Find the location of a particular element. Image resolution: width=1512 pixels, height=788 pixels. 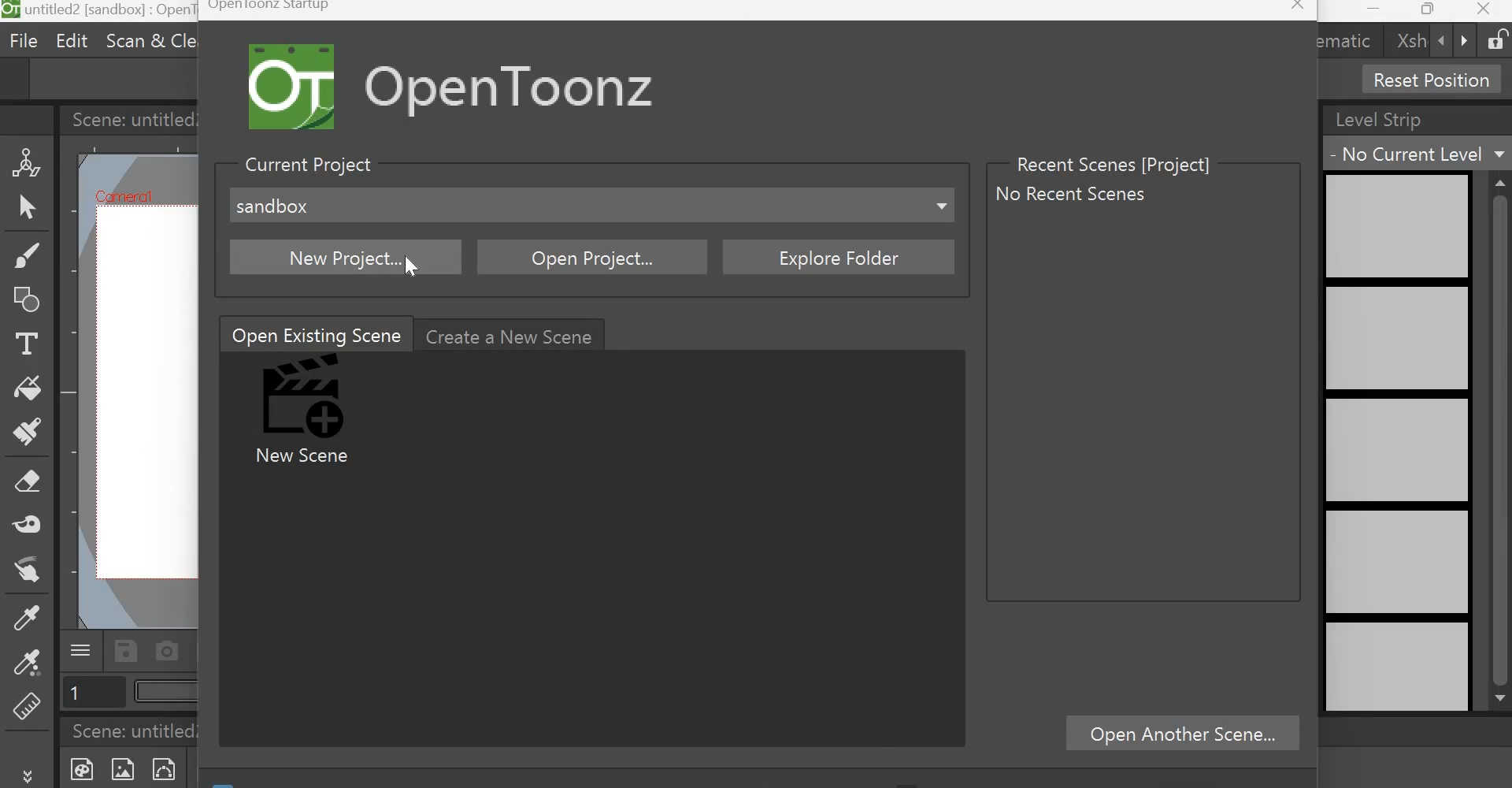

Current Project is located at coordinates (306, 165).